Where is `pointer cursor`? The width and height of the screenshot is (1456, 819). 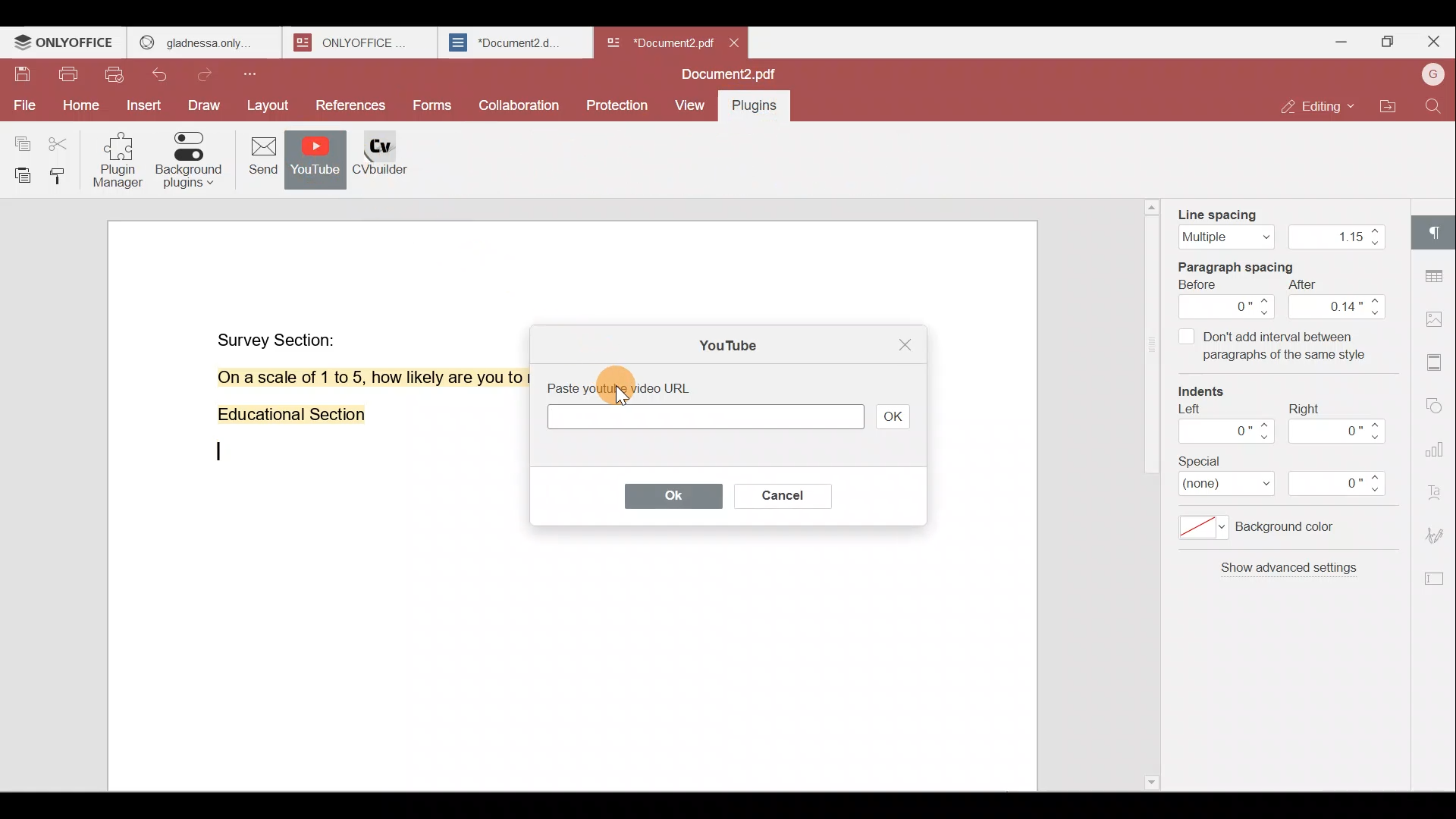
pointer cursor is located at coordinates (620, 391).